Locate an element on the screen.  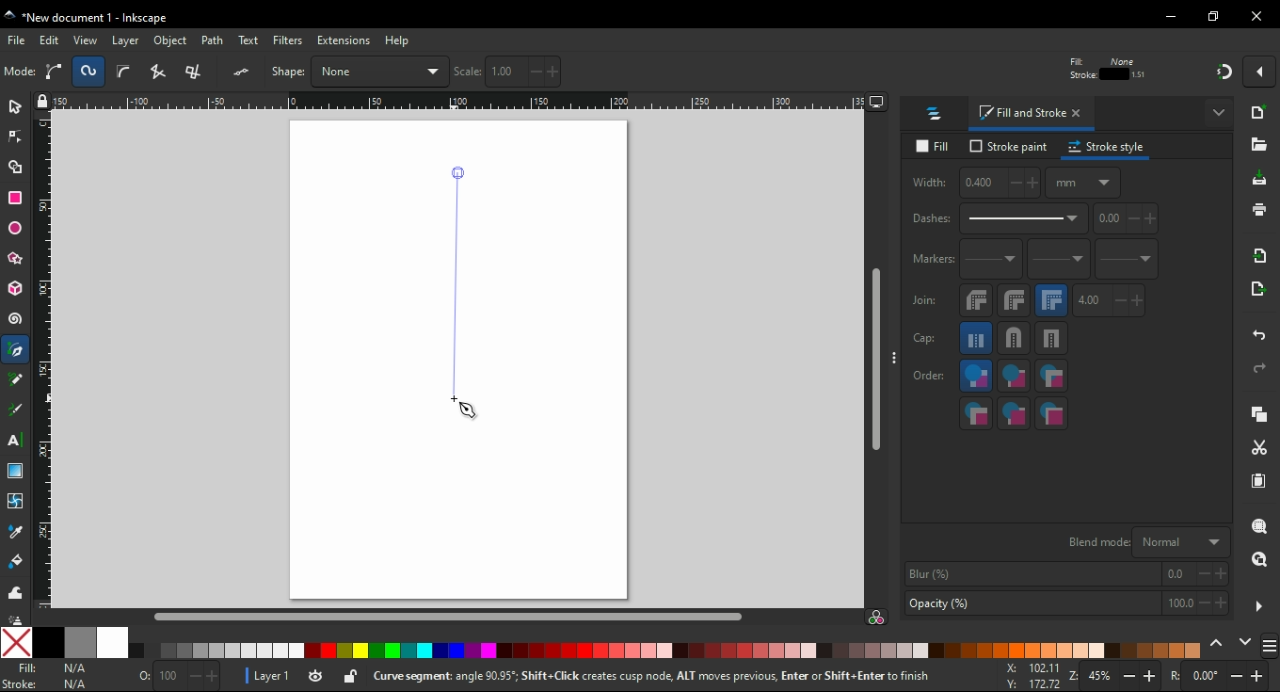
spiral tool is located at coordinates (17, 319).